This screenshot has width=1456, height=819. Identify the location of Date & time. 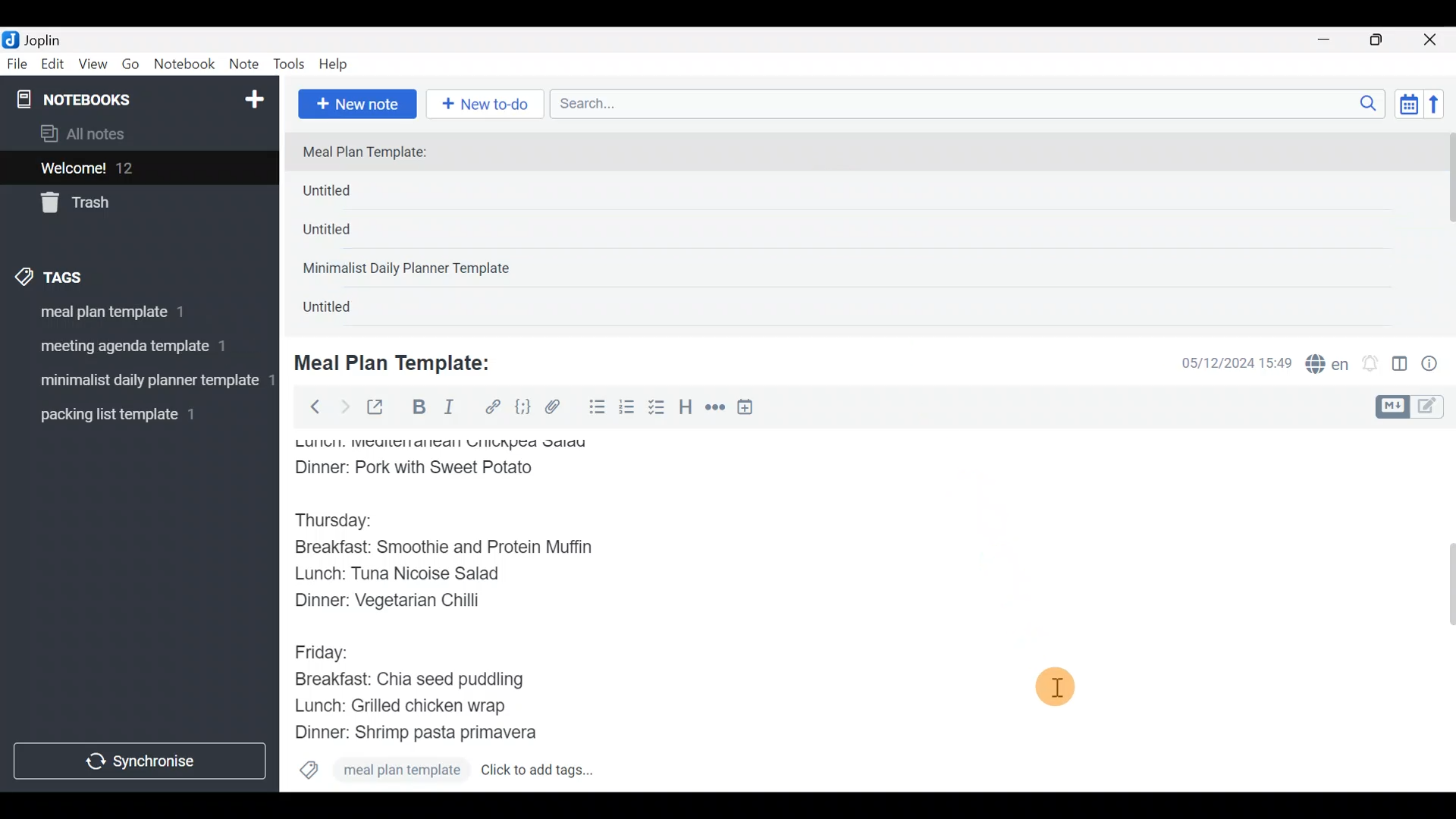
(1225, 362).